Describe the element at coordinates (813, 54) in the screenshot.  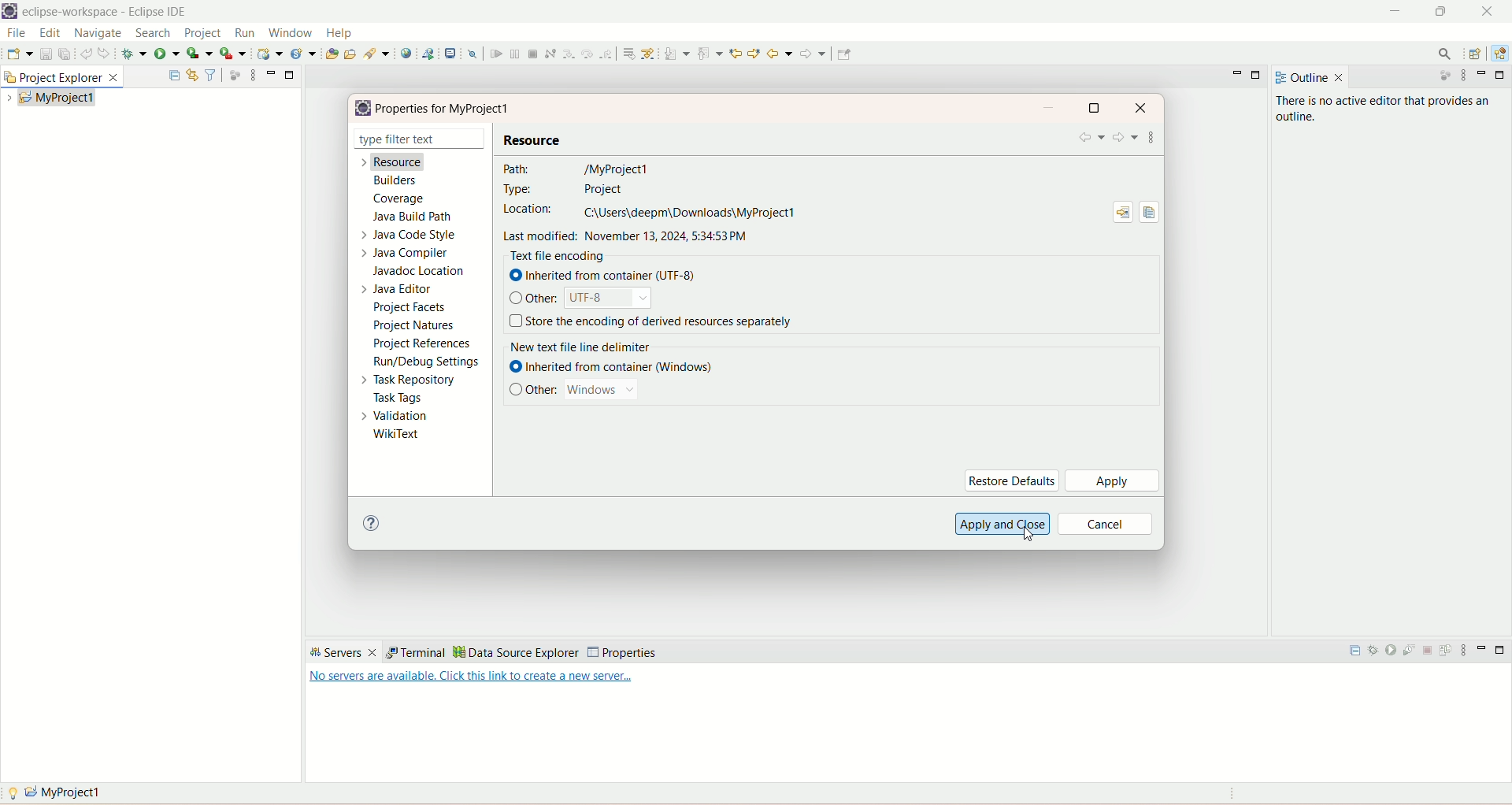
I see `forward` at that location.